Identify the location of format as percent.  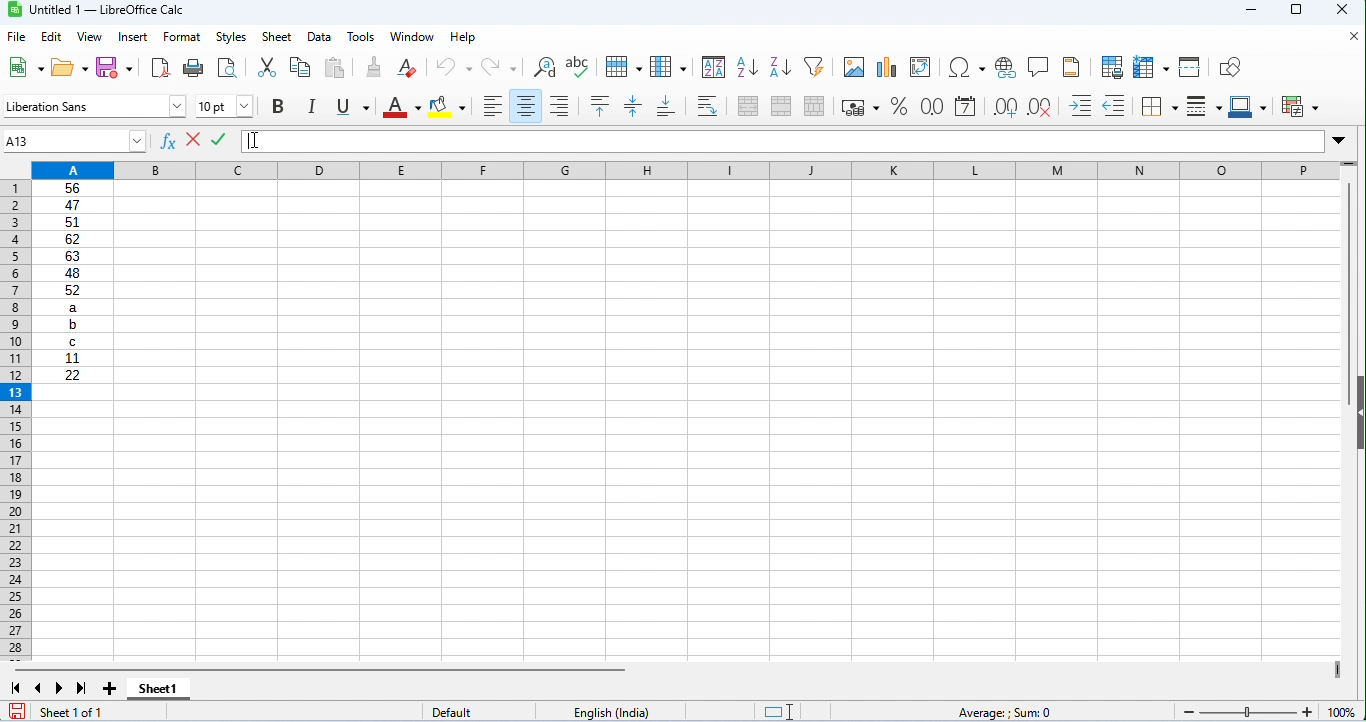
(899, 106).